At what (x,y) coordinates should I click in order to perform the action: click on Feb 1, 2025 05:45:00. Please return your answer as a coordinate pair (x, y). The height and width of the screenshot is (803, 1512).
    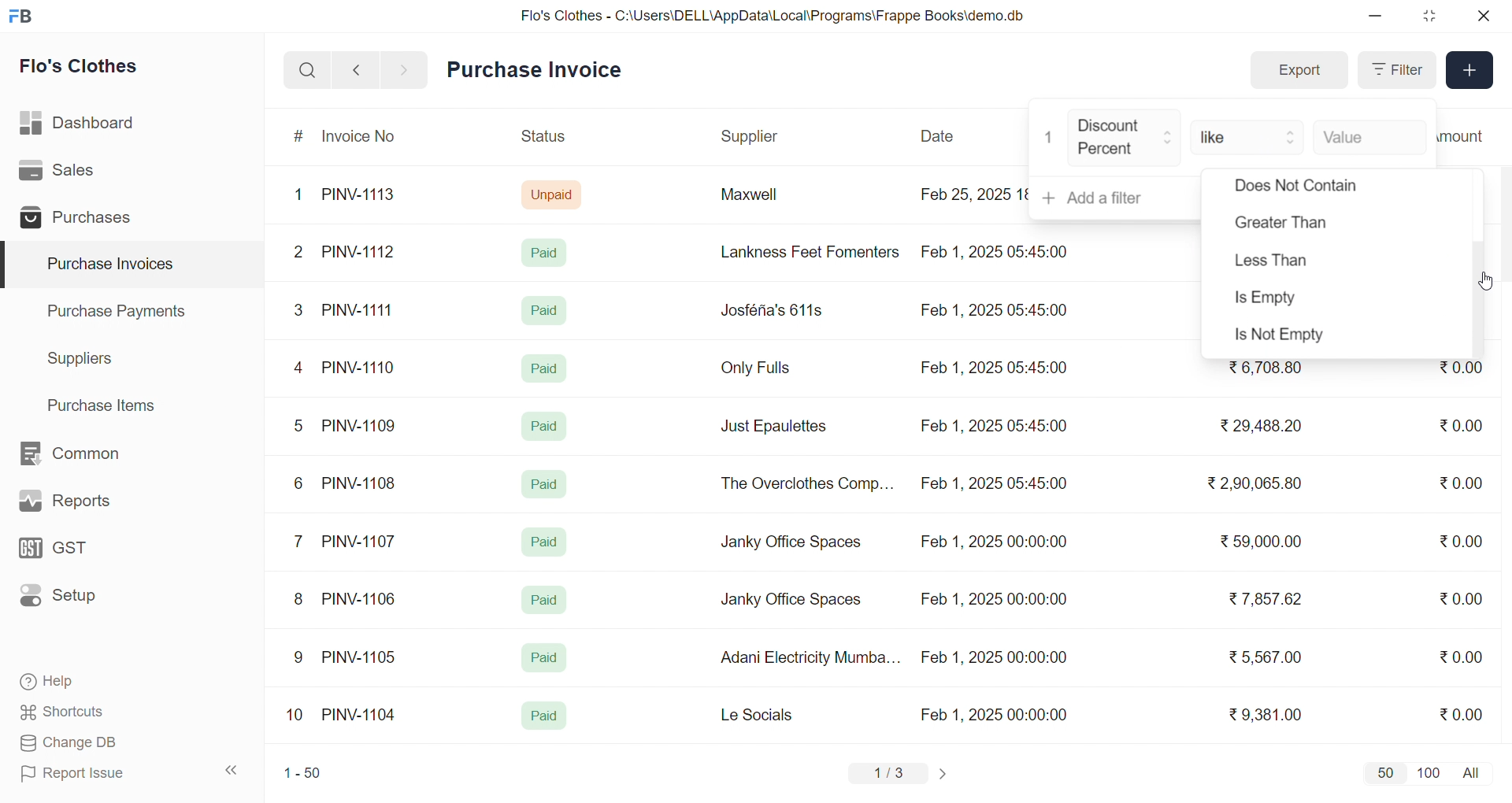
    Looking at the image, I should click on (996, 368).